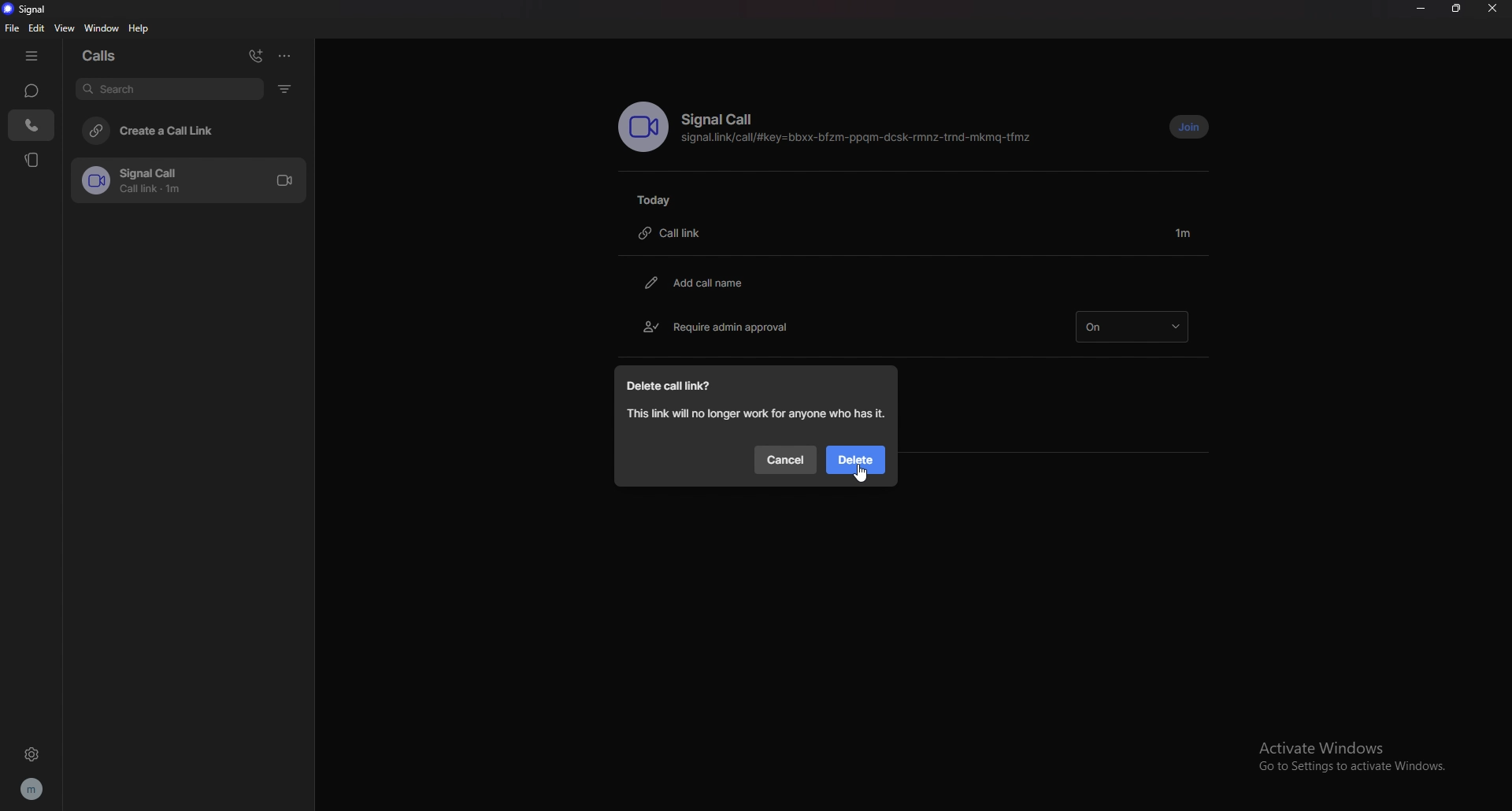  What do you see at coordinates (861, 472) in the screenshot?
I see `cursor` at bounding box center [861, 472].